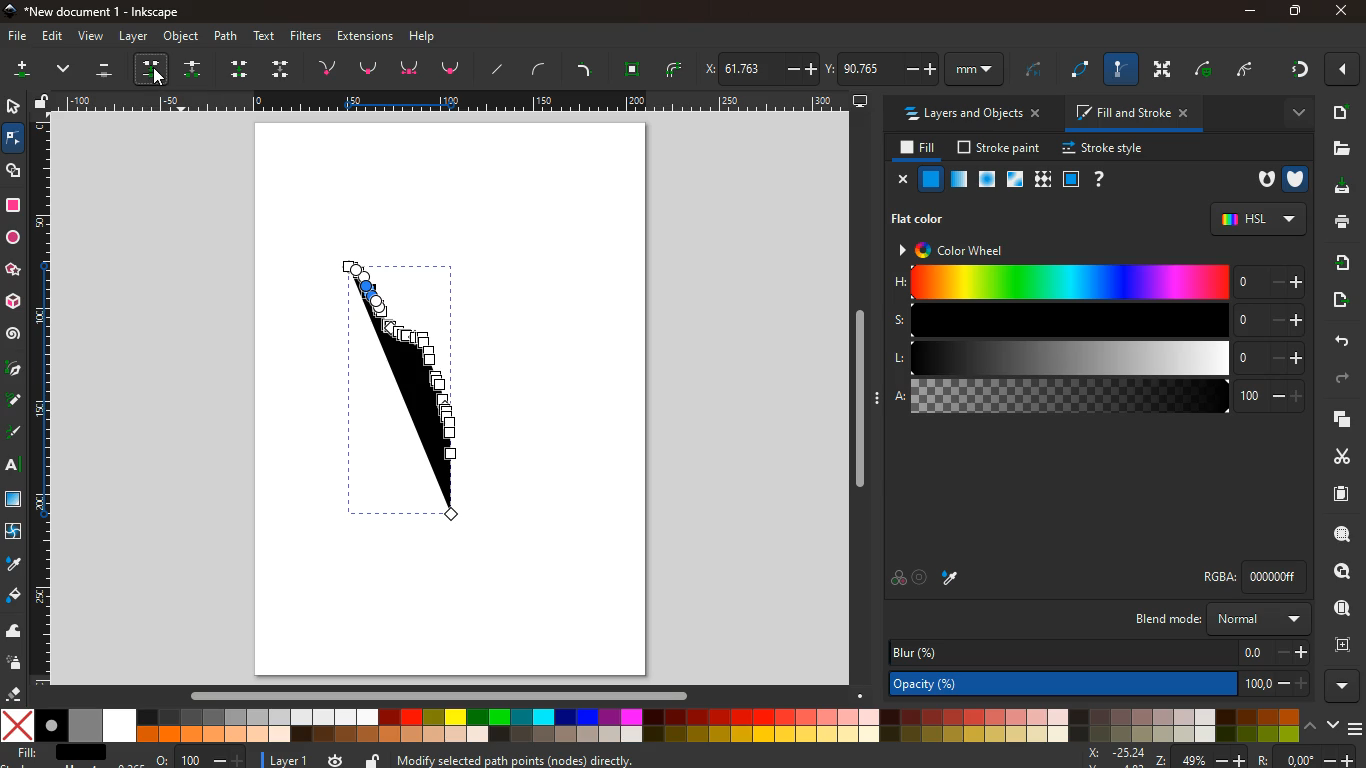 This screenshot has height=768, width=1366. What do you see at coordinates (1357, 726) in the screenshot?
I see `menu` at bounding box center [1357, 726].